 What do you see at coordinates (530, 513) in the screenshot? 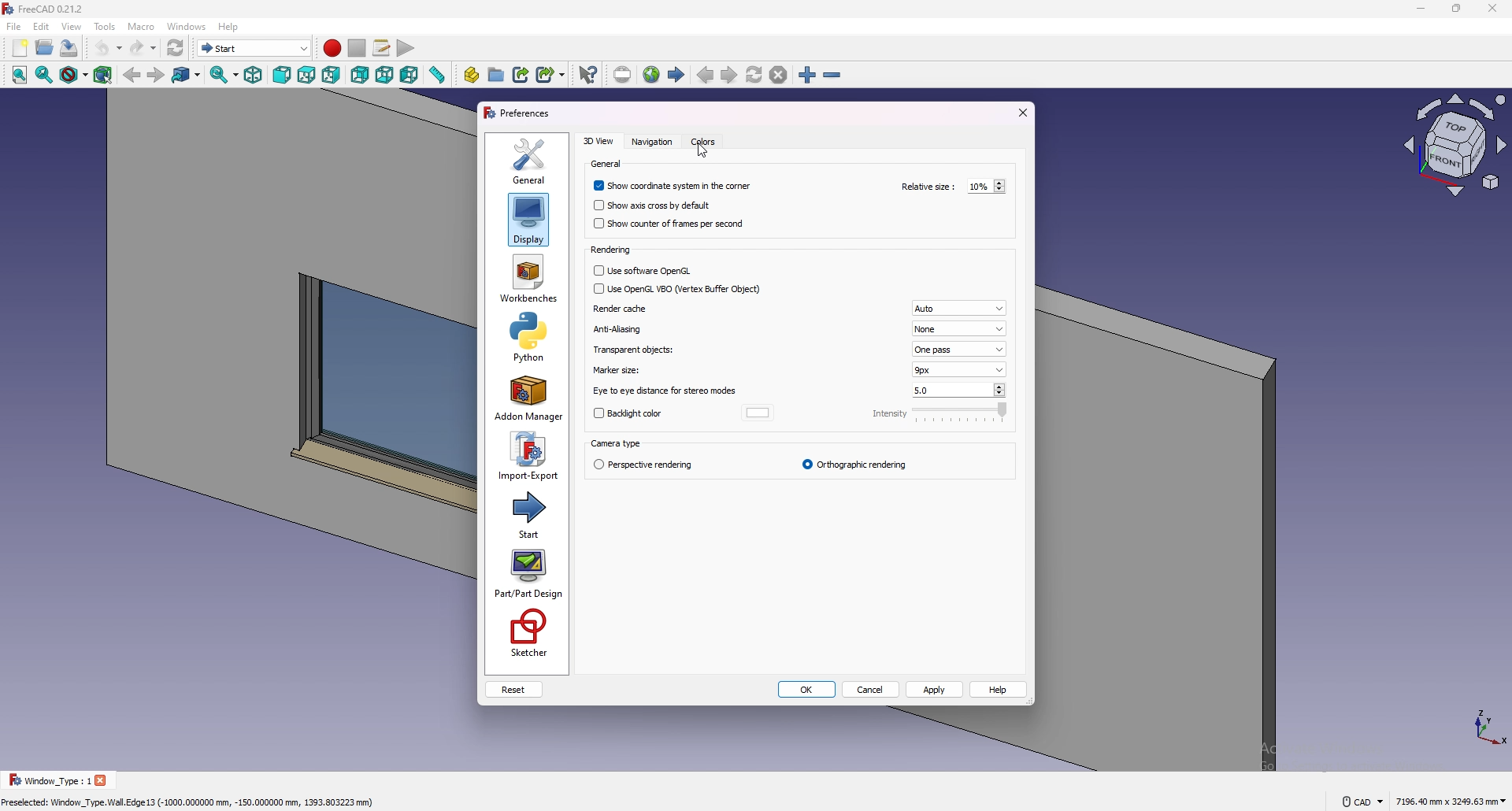
I see `start` at bounding box center [530, 513].